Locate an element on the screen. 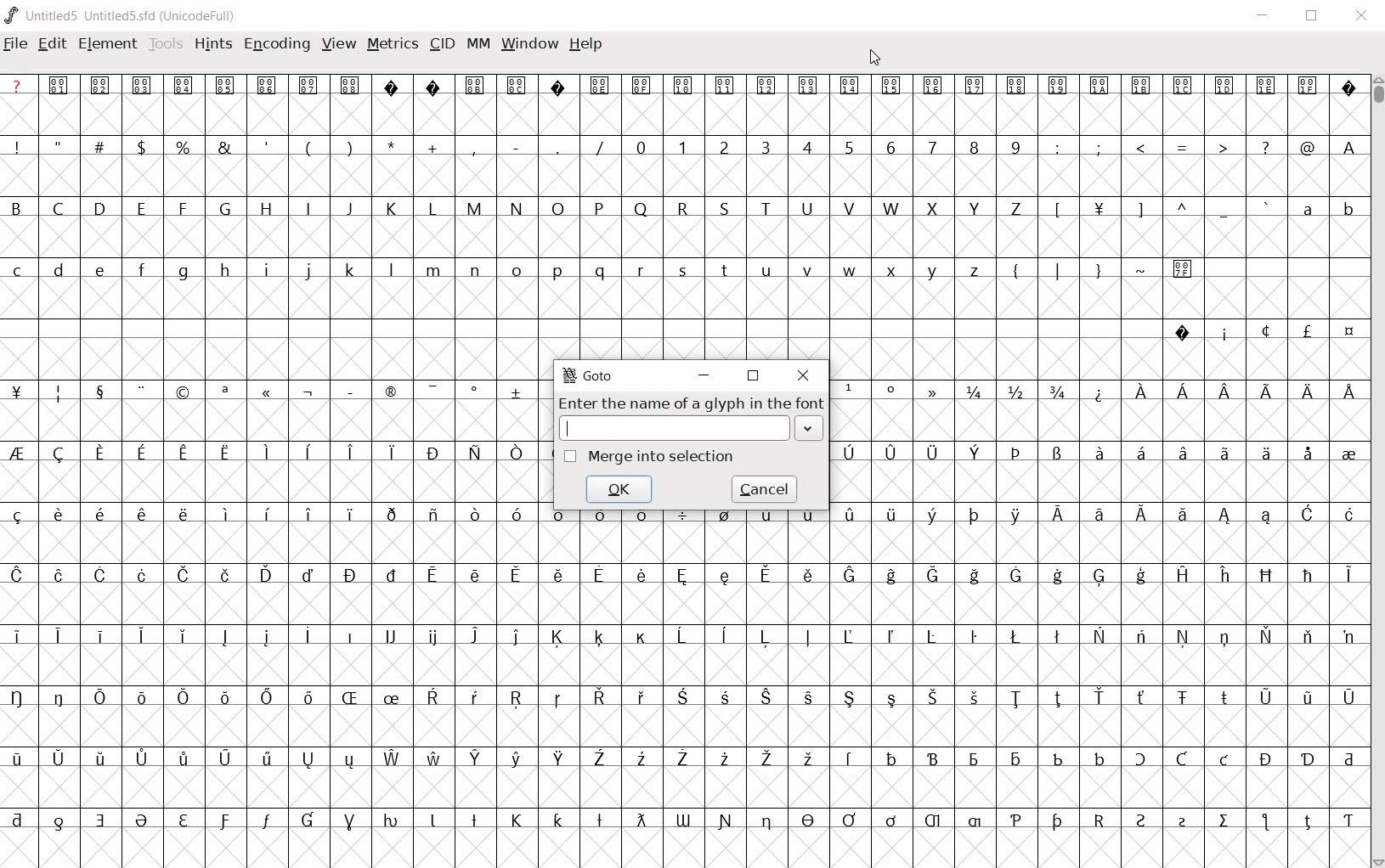  Symbol is located at coordinates (432, 821).